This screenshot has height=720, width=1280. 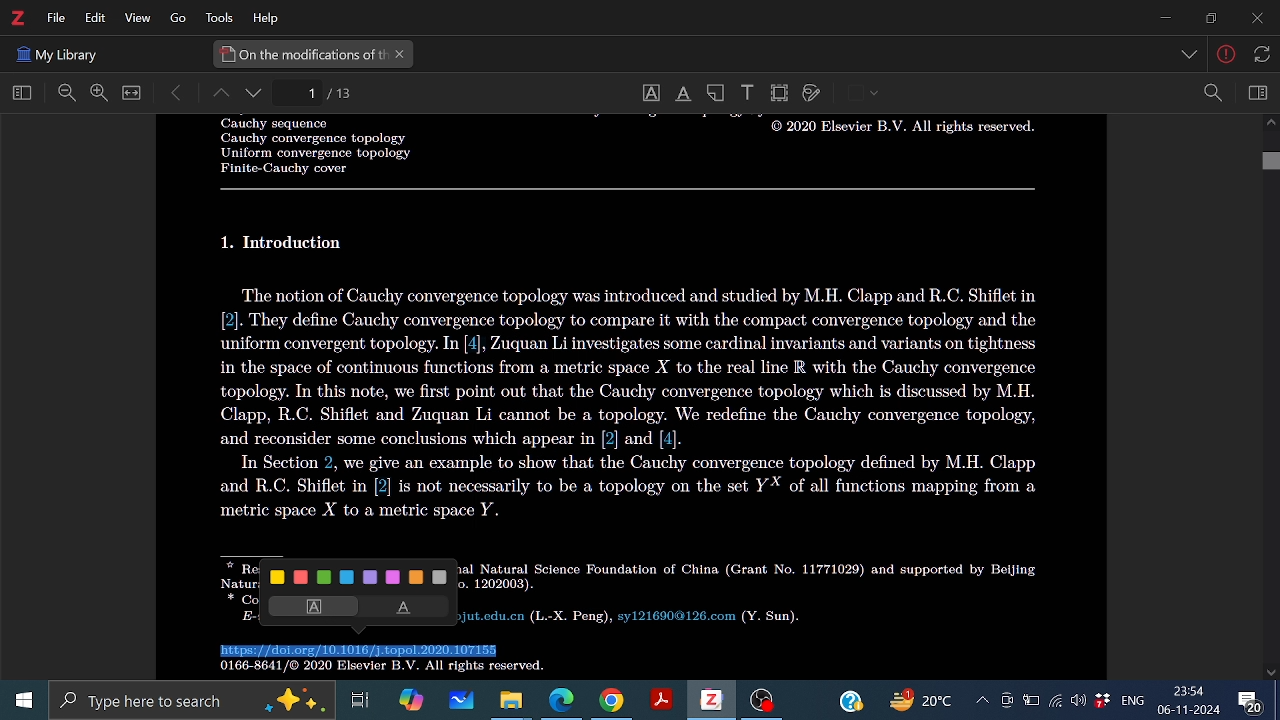 What do you see at coordinates (753, 592) in the screenshot?
I see `` at bounding box center [753, 592].